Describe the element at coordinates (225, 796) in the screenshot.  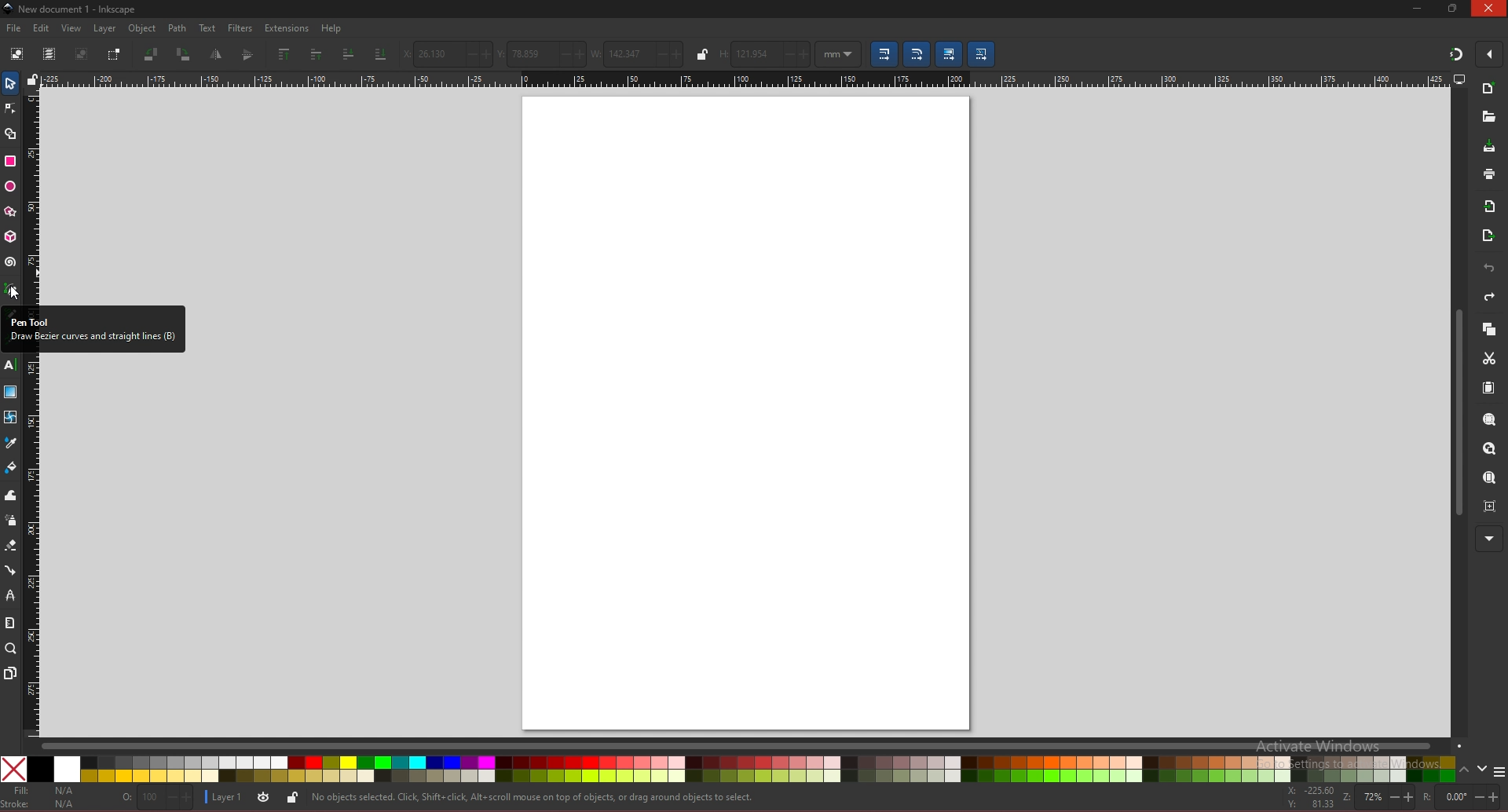
I see `layer` at that location.